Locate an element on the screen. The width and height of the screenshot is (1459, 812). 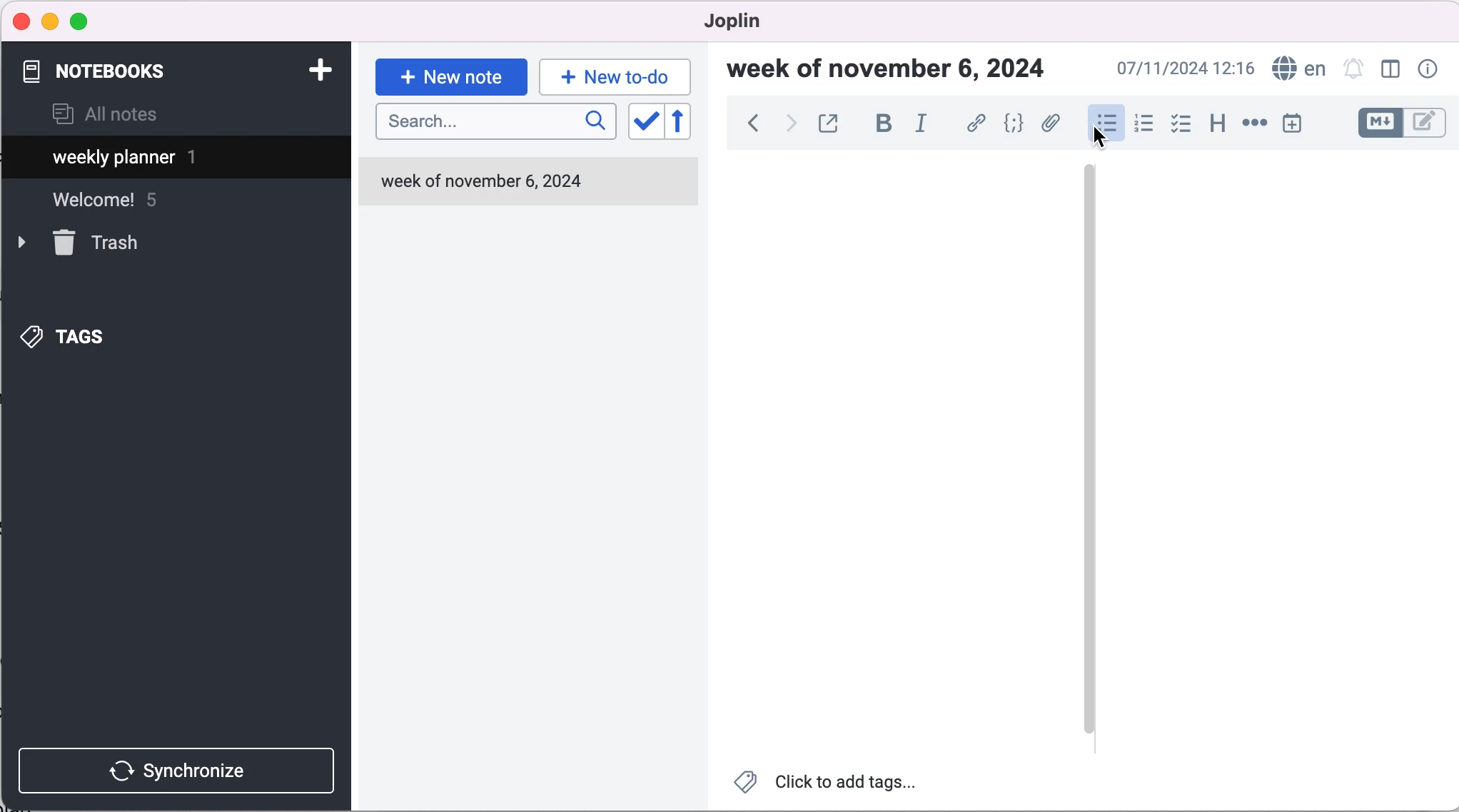
toggle sort order field is located at coordinates (644, 126).